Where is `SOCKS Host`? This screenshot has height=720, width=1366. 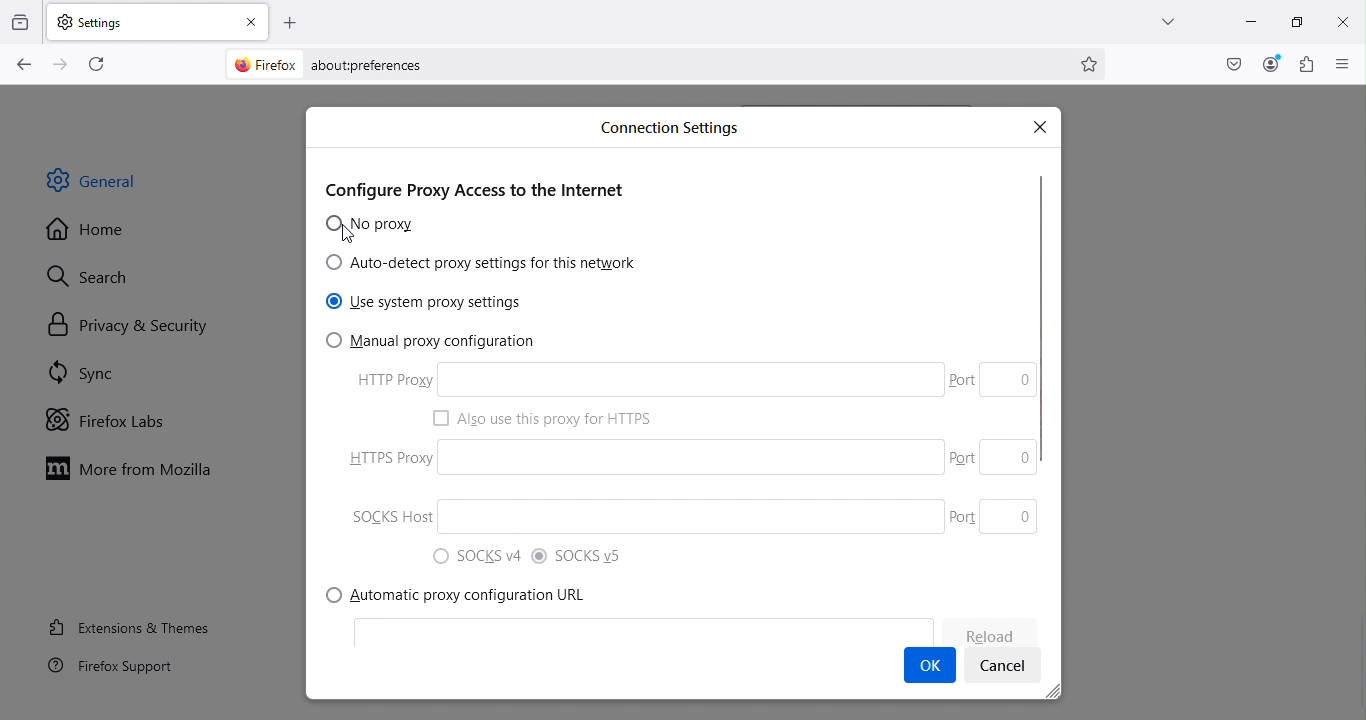
SOCKS Host is located at coordinates (386, 517).